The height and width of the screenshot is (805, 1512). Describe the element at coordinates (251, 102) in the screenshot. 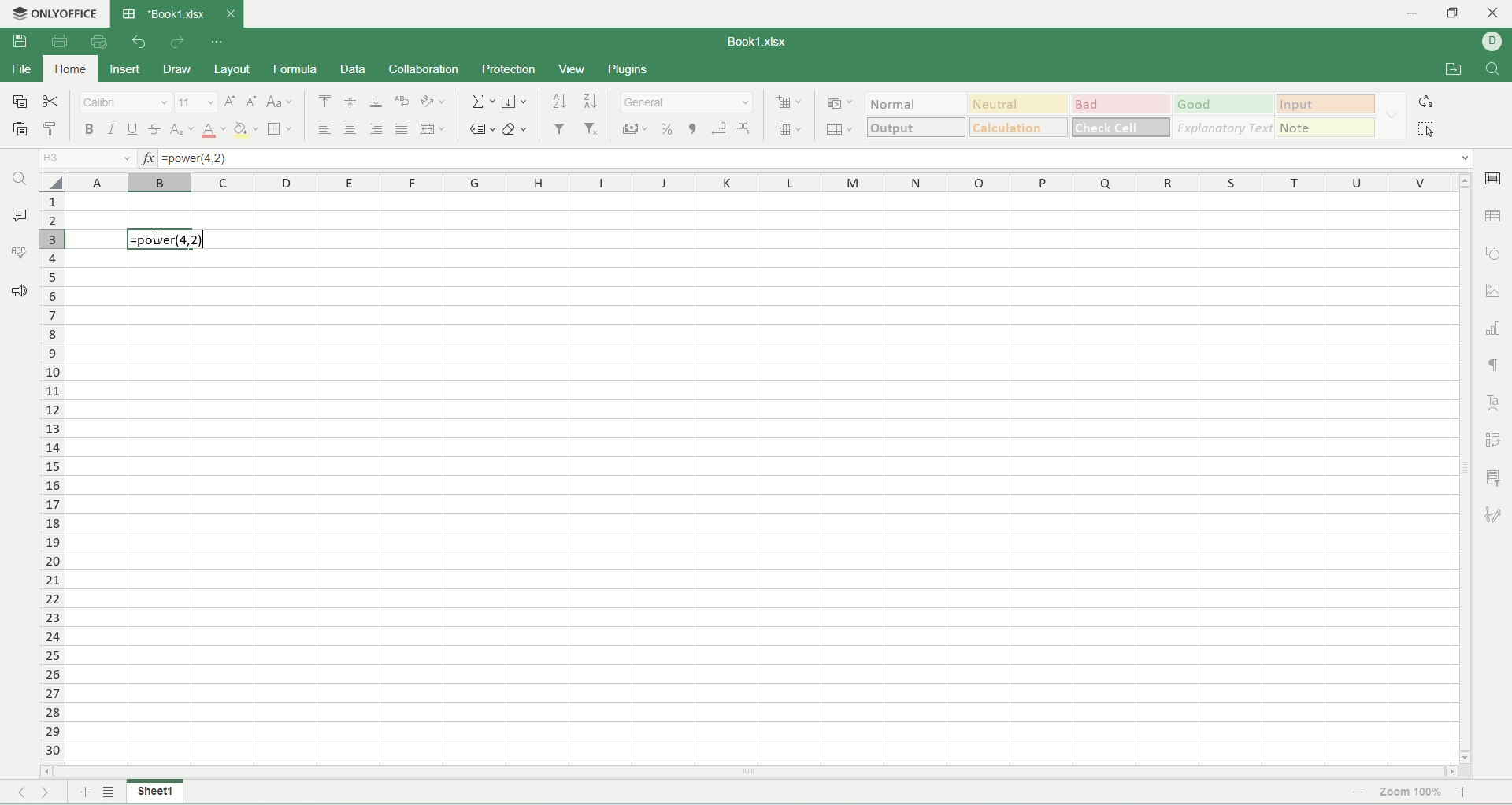

I see `decrease font size` at that location.